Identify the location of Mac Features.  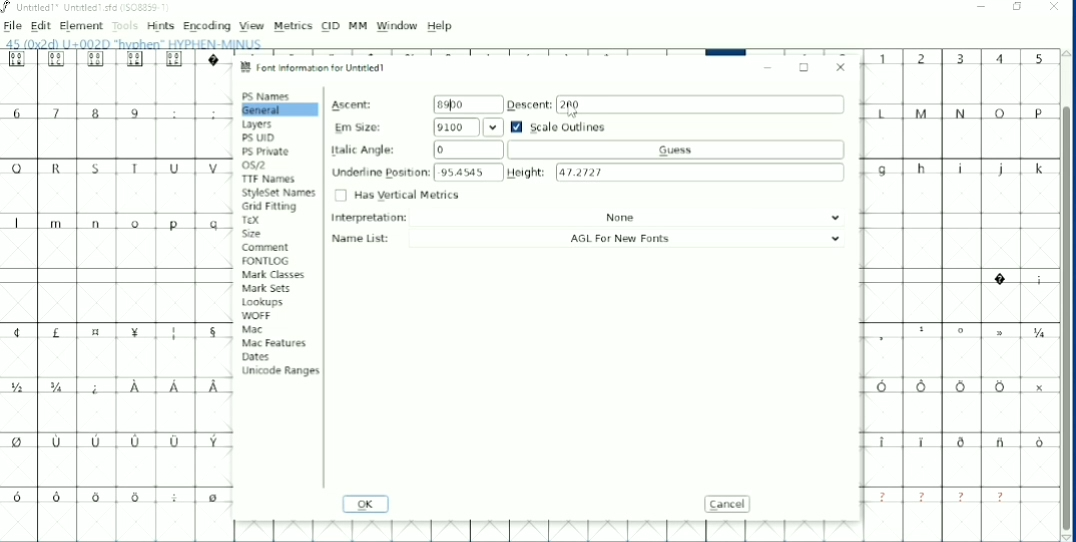
(273, 343).